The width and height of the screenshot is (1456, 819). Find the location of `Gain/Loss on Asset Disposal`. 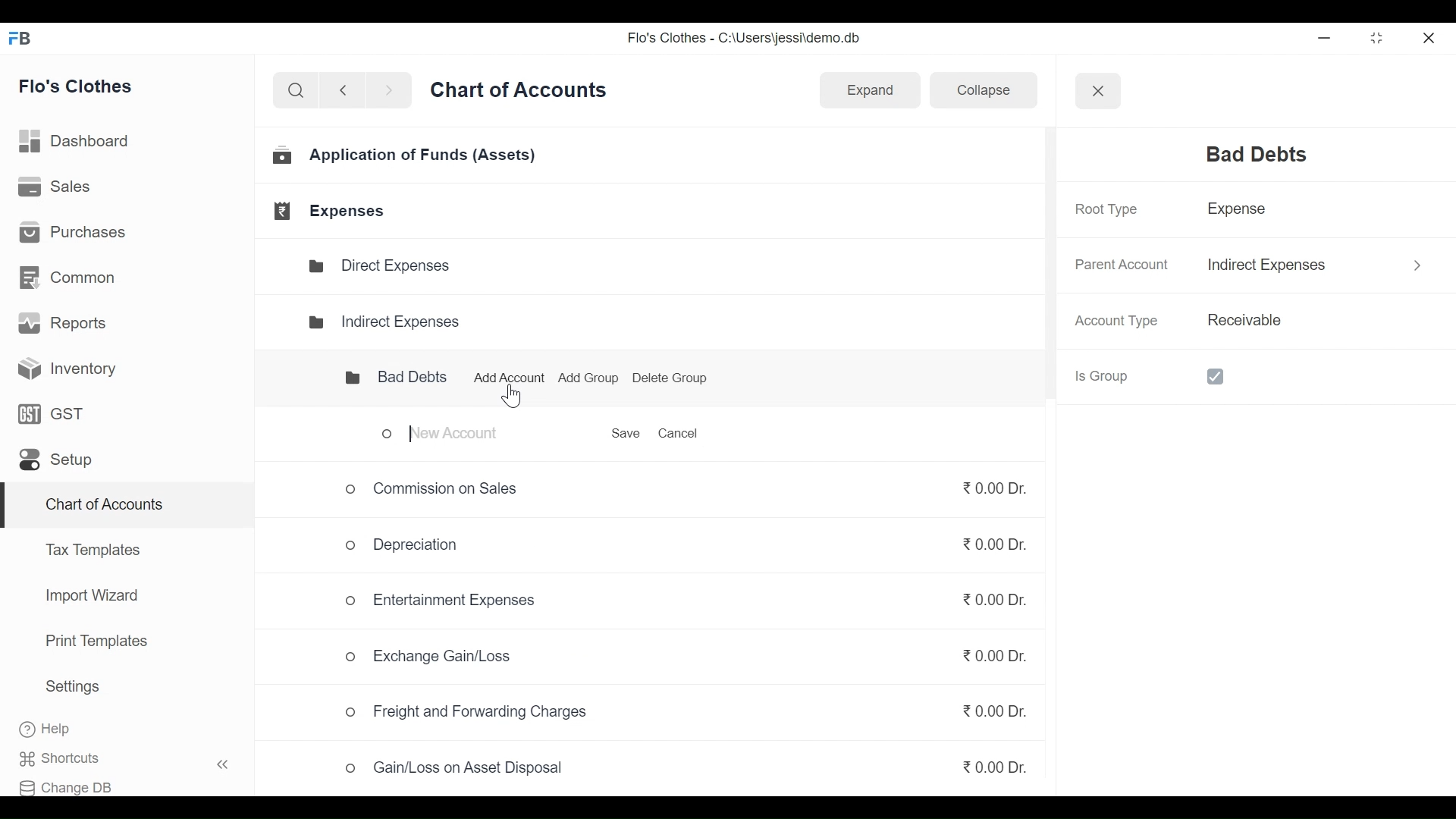

Gain/Loss on Asset Disposal is located at coordinates (456, 772).